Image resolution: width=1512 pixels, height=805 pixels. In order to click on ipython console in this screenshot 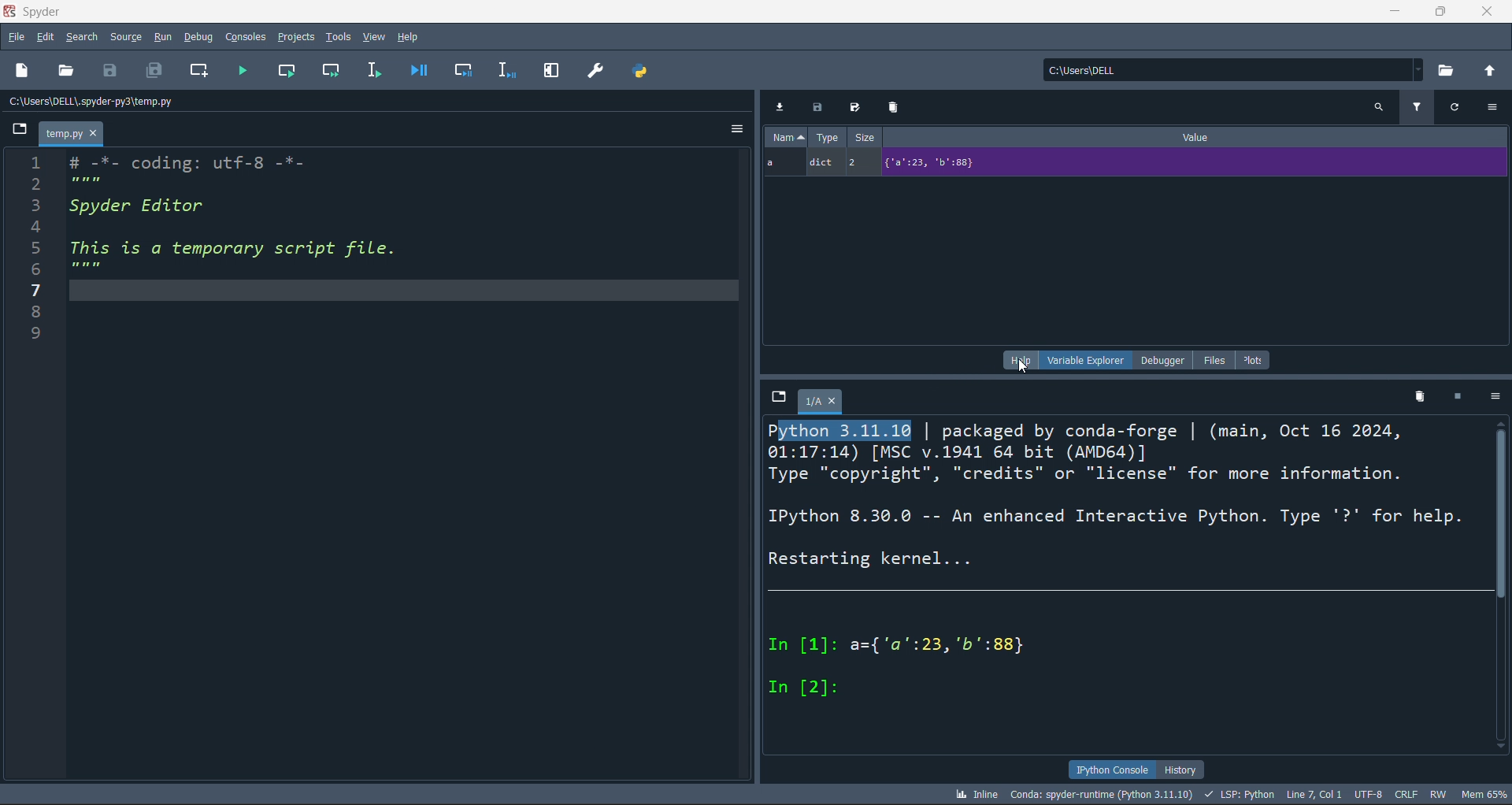, I will do `click(1110, 770)`.